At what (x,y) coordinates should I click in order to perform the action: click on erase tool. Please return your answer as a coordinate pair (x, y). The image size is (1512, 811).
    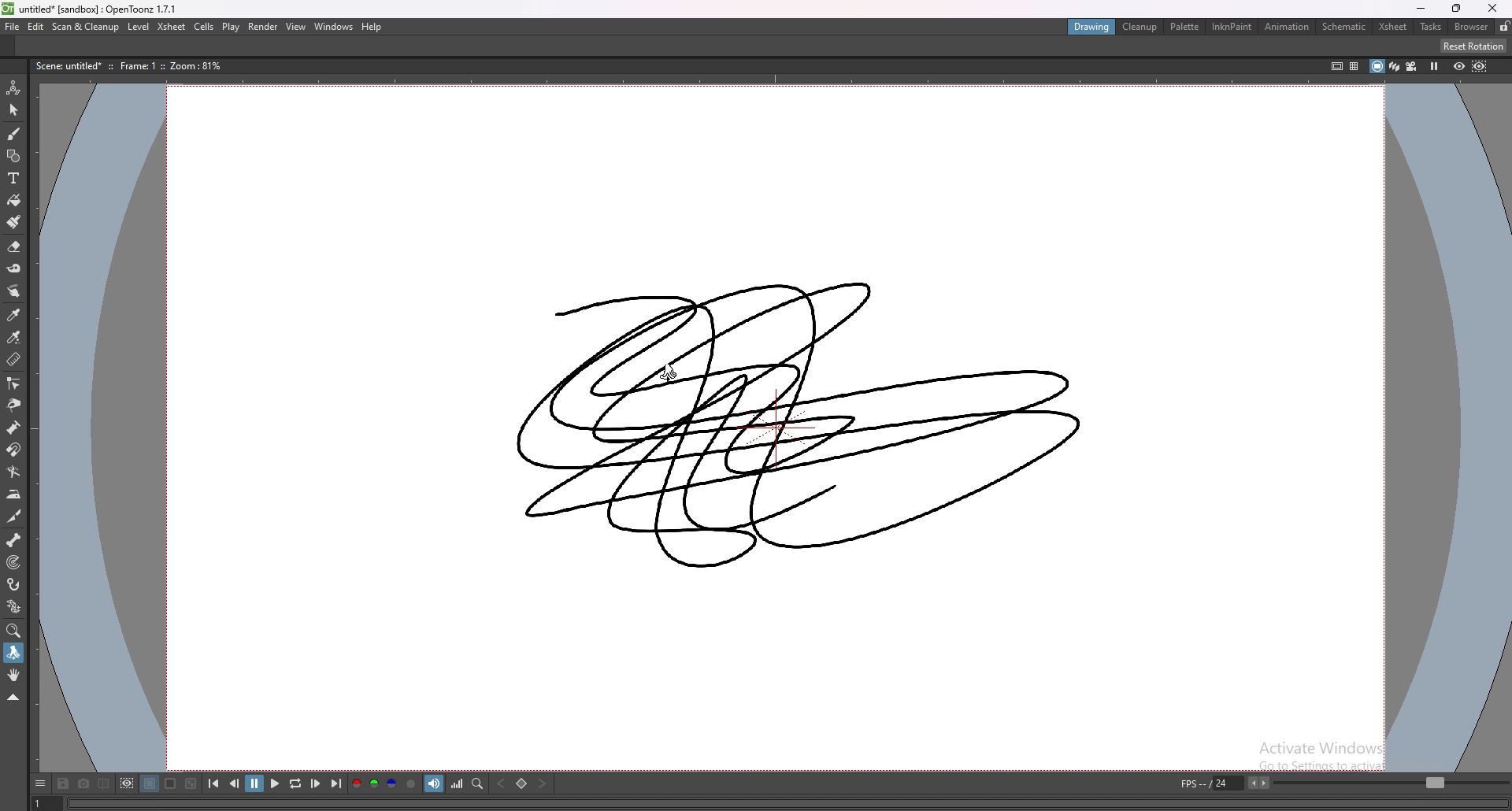
    Looking at the image, I should click on (15, 246).